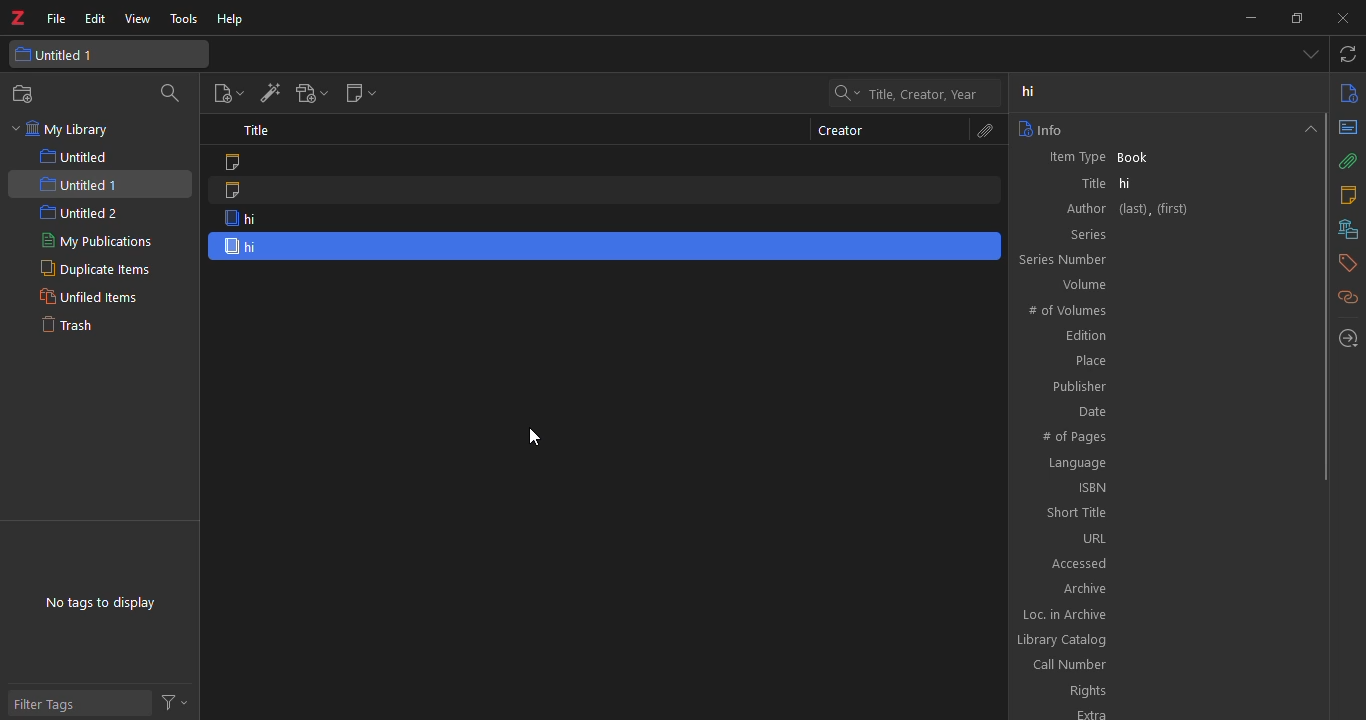 This screenshot has width=1366, height=720. I want to click on hi, so click(1133, 180).